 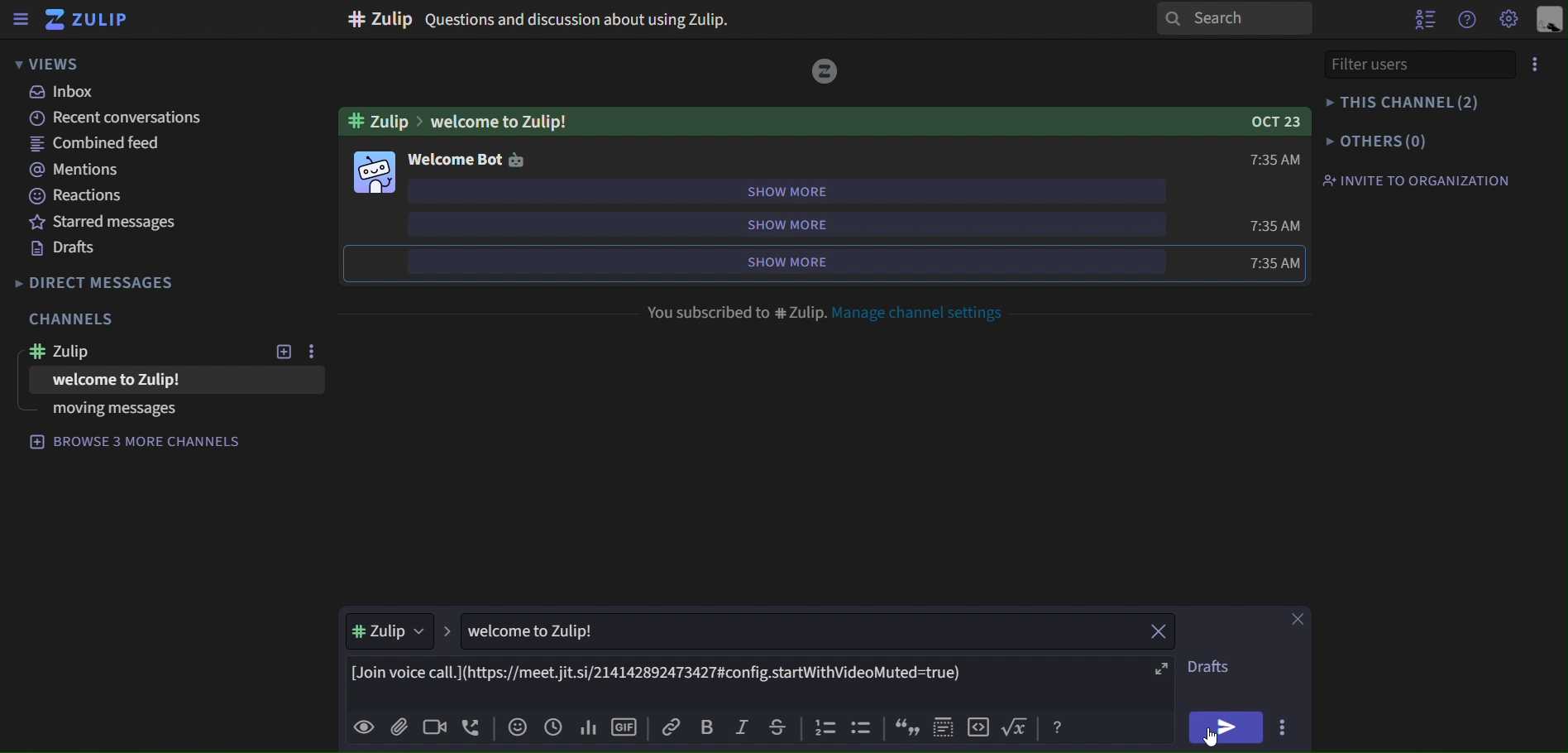 I want to click on italic, so click(x=743, y=728).